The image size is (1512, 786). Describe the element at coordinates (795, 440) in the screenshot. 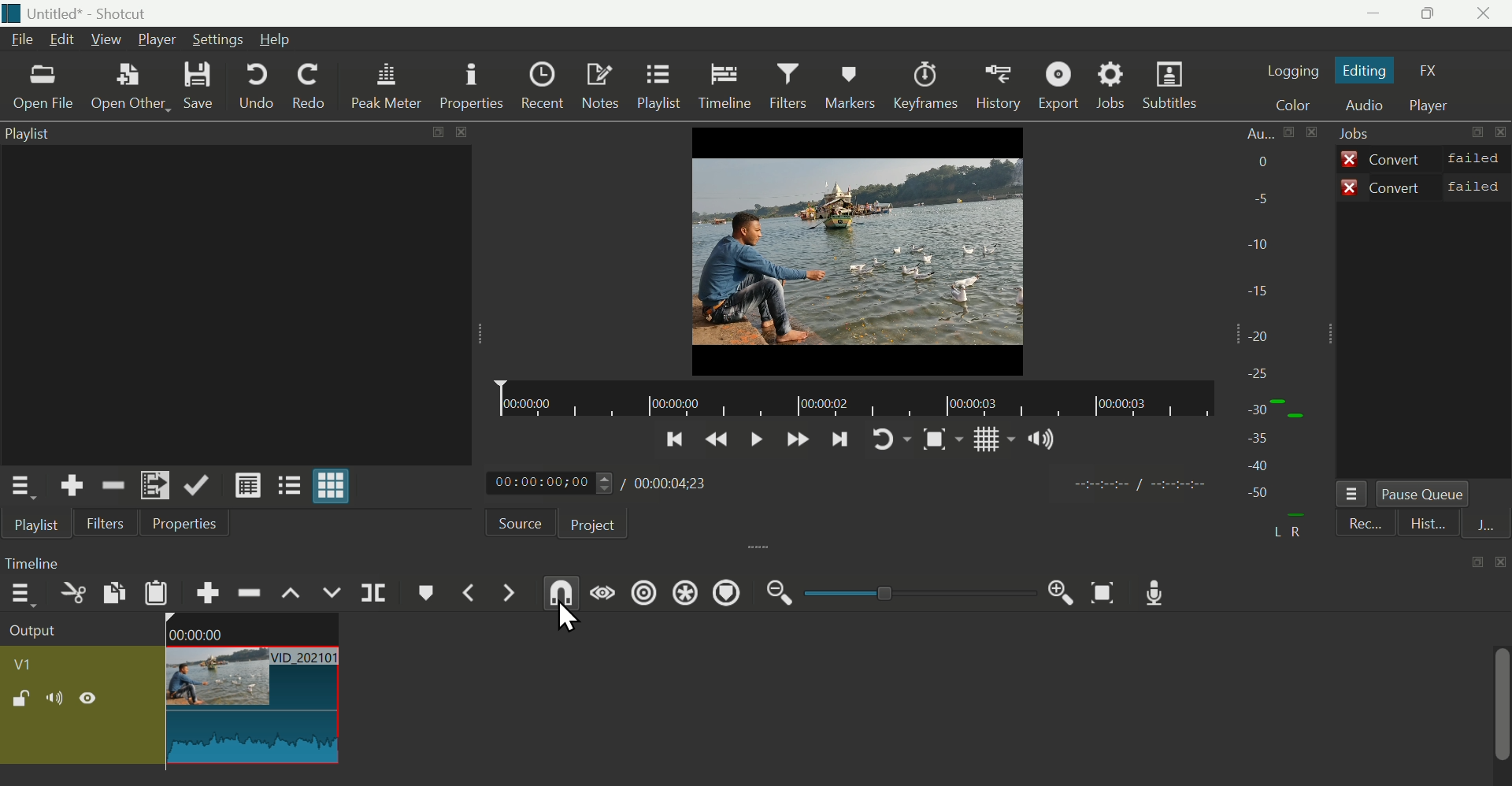

I see `Forward` at that location.